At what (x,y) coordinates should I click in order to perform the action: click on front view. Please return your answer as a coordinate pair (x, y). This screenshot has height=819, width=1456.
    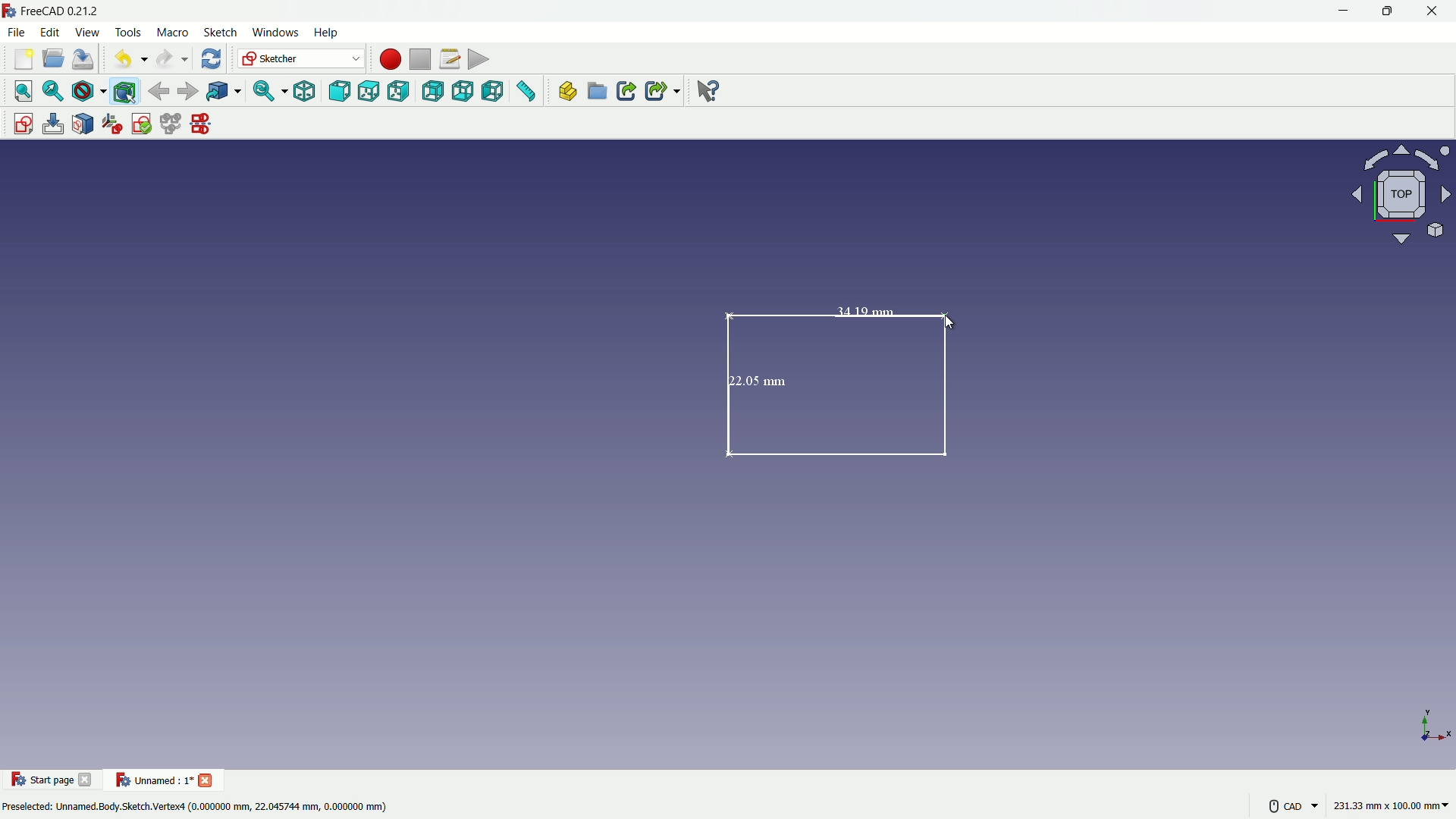
    Looking at the image, I should click on (338, 91).